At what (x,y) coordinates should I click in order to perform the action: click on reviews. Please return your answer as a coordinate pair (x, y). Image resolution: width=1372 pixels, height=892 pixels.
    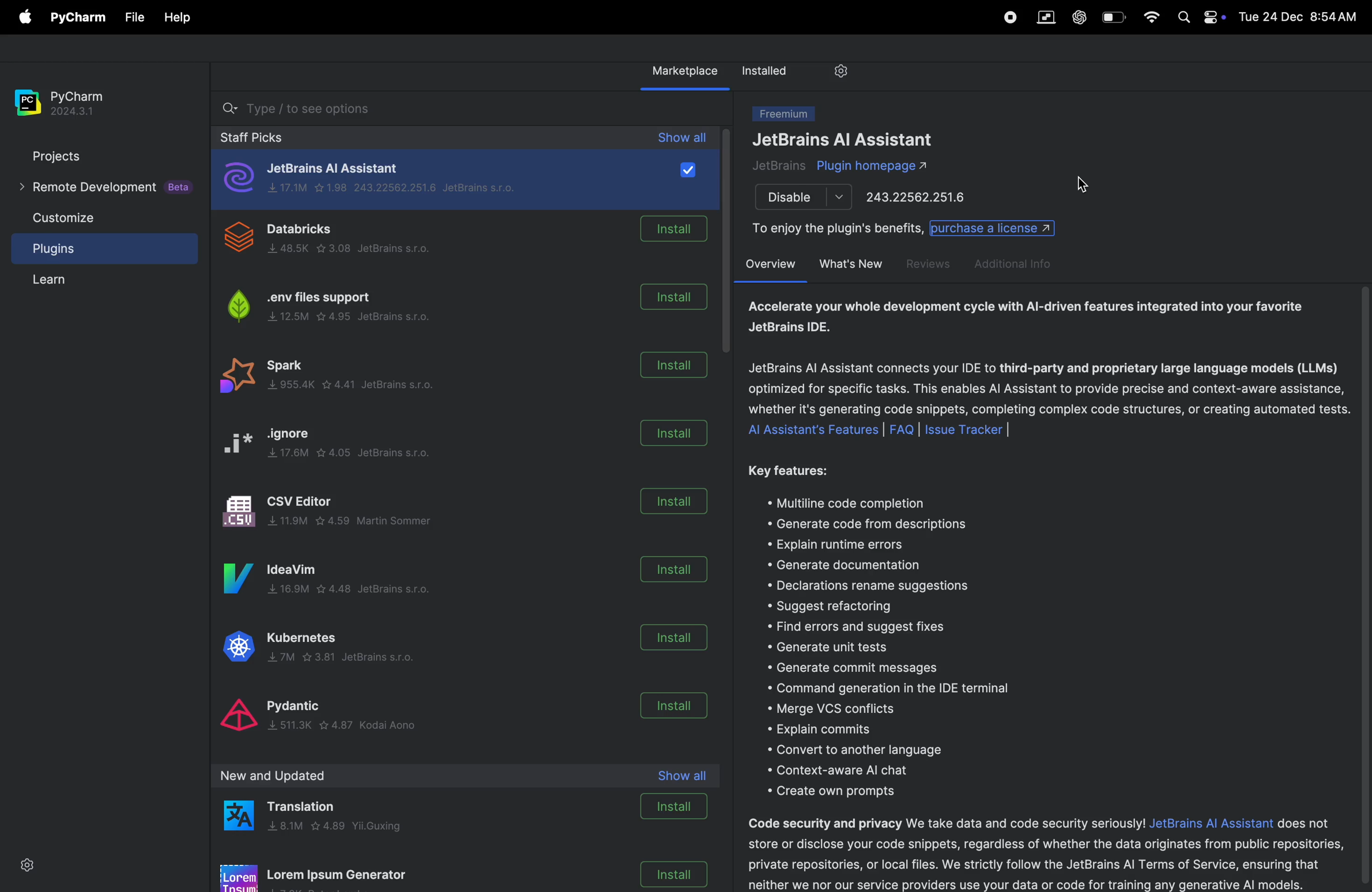
    Looking at the image, I should click on (925, 264).